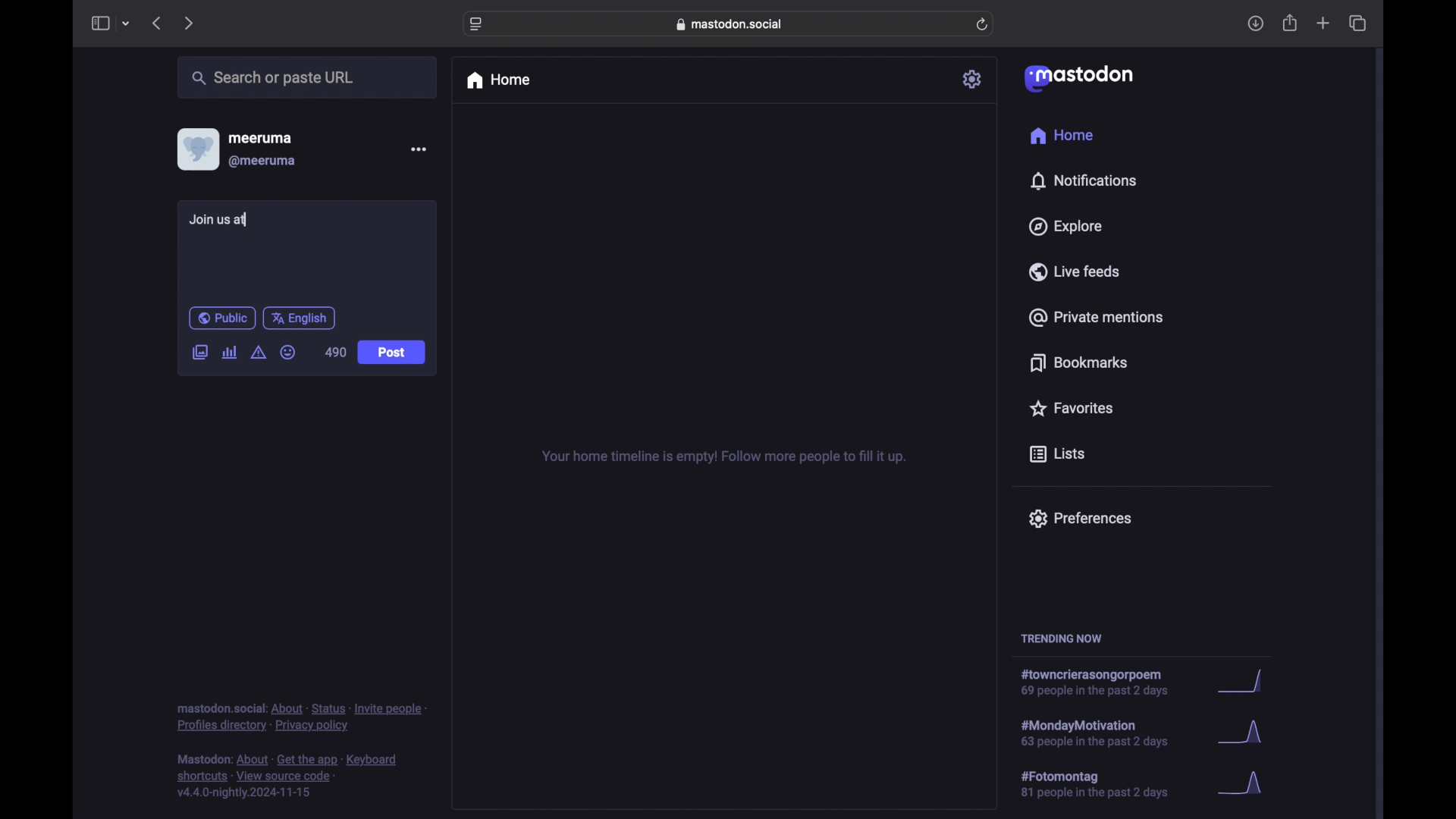 The height and width of the screenshot is (819, 1456). Describe the element at coordinates (229, 352) in the screenshot. I see `add  poll` at that location.